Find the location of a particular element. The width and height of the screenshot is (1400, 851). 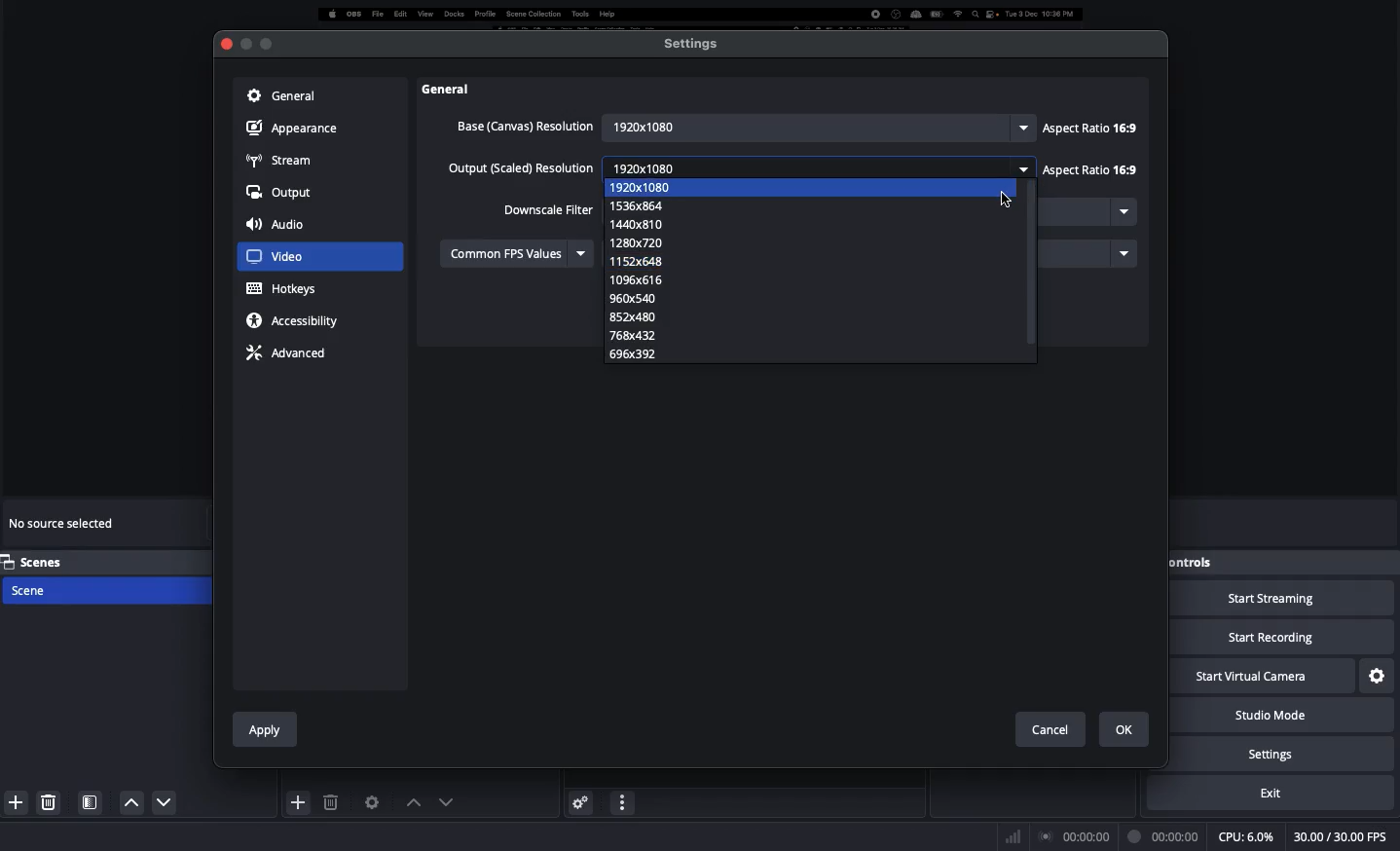

Move up is located at coordinates (410, 802).